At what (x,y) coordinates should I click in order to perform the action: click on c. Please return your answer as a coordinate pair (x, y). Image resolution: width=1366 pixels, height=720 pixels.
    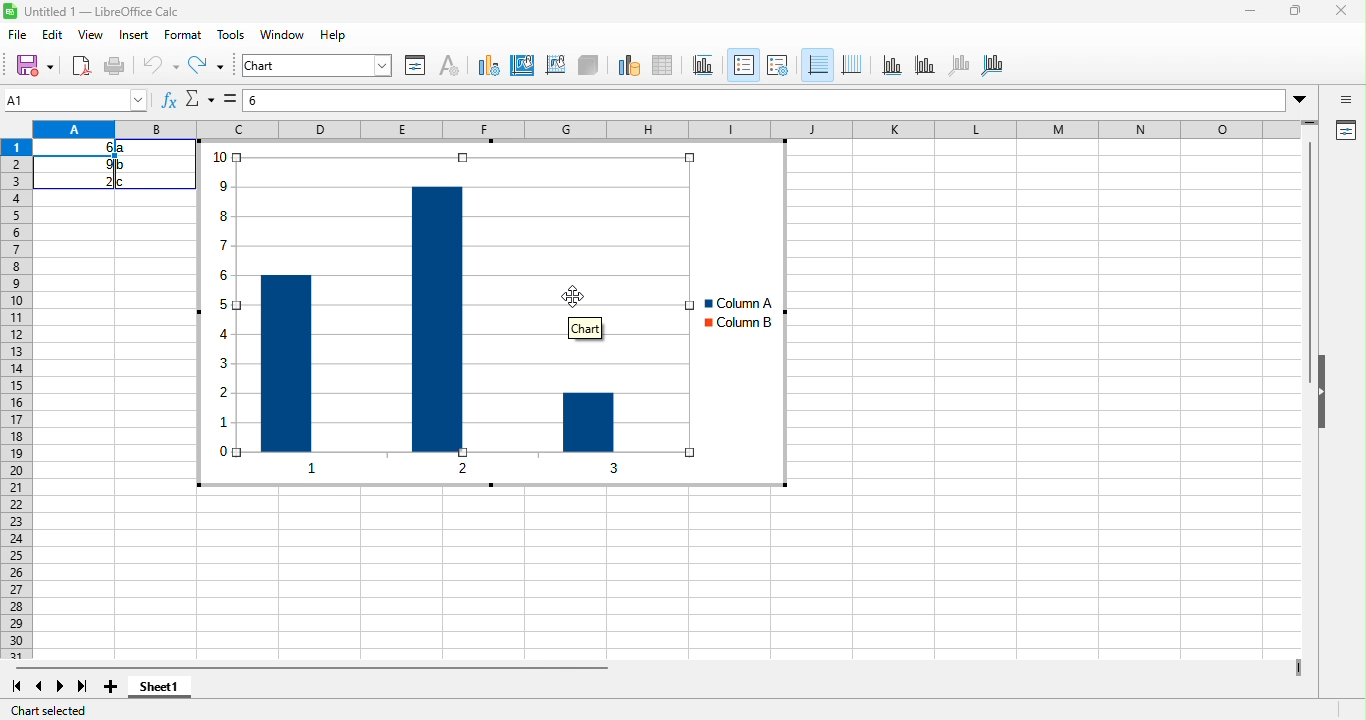
    Looking at the image, I should click on (124, 182).